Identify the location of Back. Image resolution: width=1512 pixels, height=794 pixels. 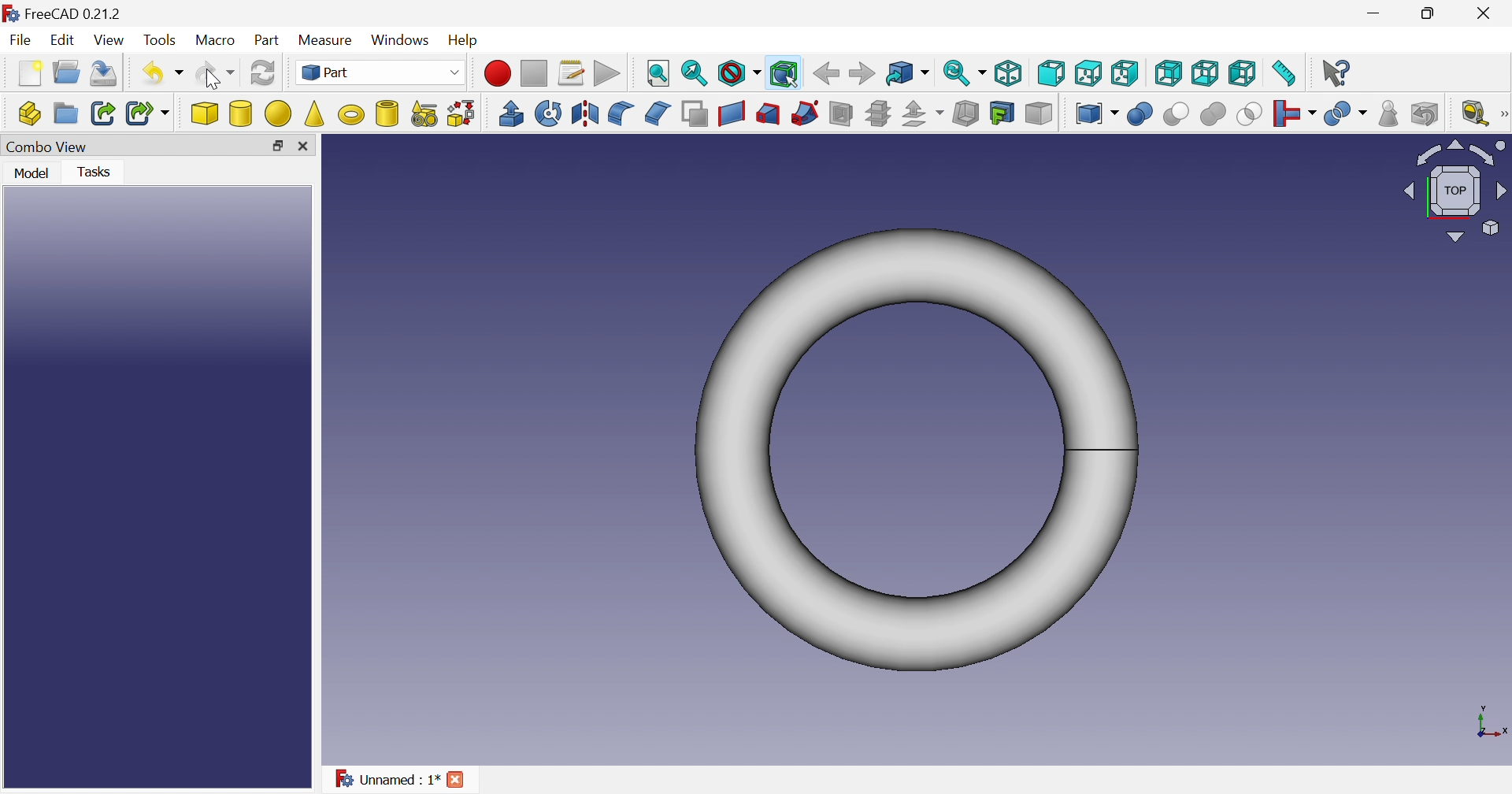
(827, 73).